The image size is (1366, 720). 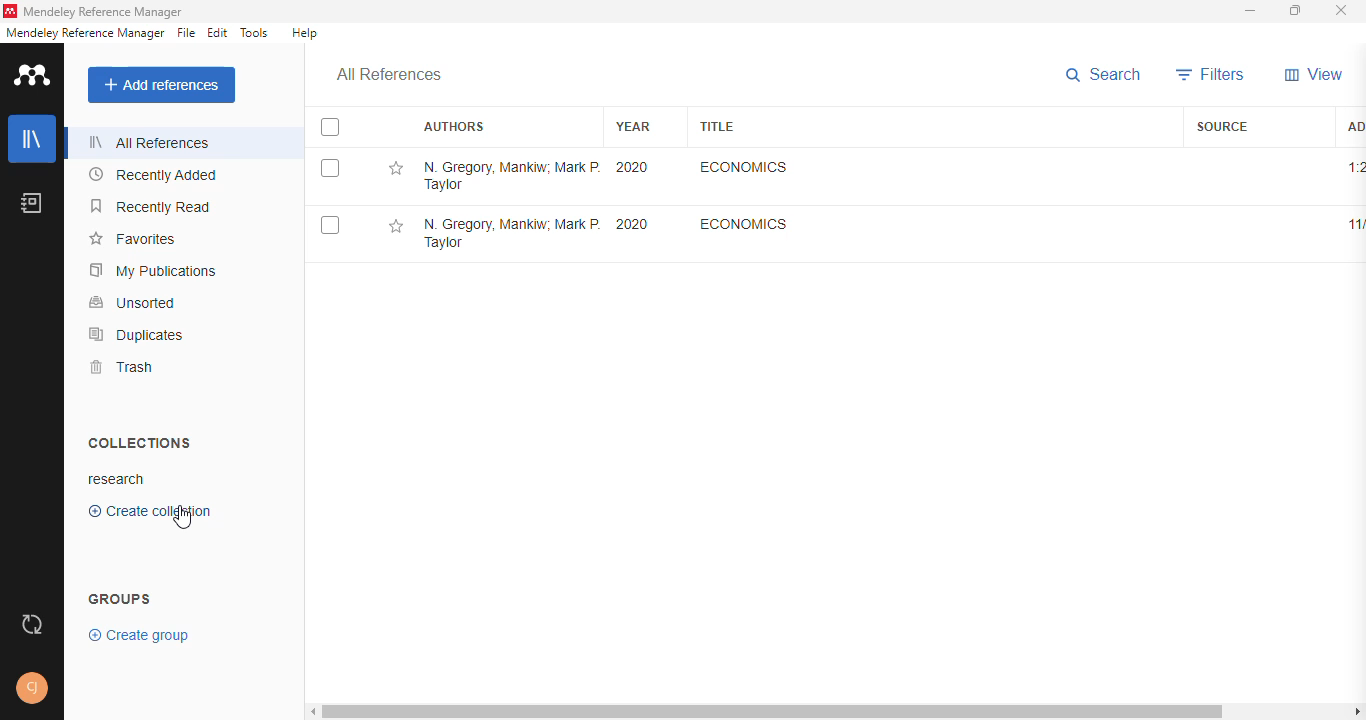 What do you see at coordinates (330, 168) in the screenshot?
I see `select` at bounding box center [330, 168].